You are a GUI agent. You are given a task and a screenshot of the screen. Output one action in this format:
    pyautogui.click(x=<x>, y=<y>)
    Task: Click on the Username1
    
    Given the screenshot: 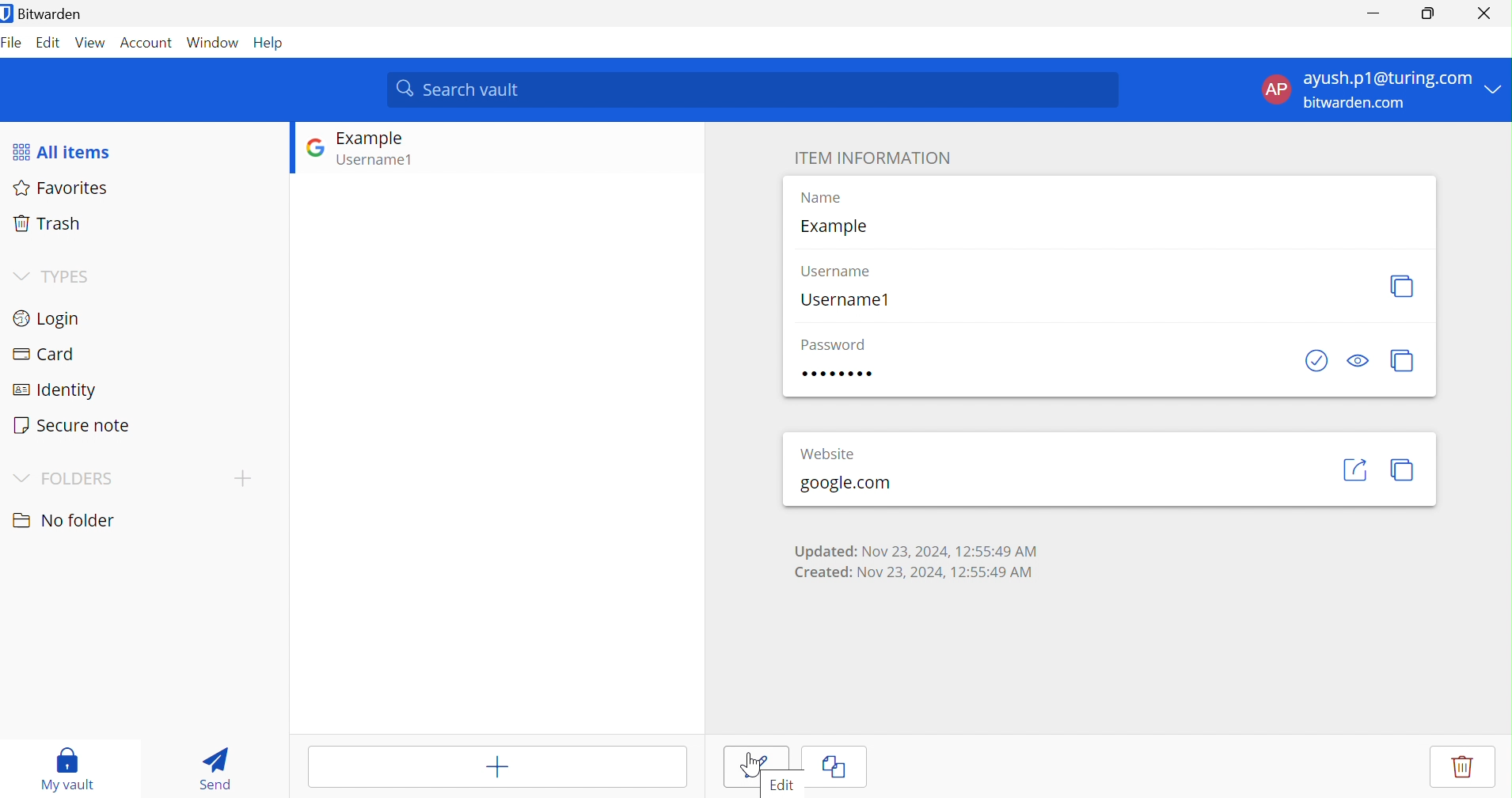 What is the action you would take?
    pyautogui.click(x=846, y=301)
    